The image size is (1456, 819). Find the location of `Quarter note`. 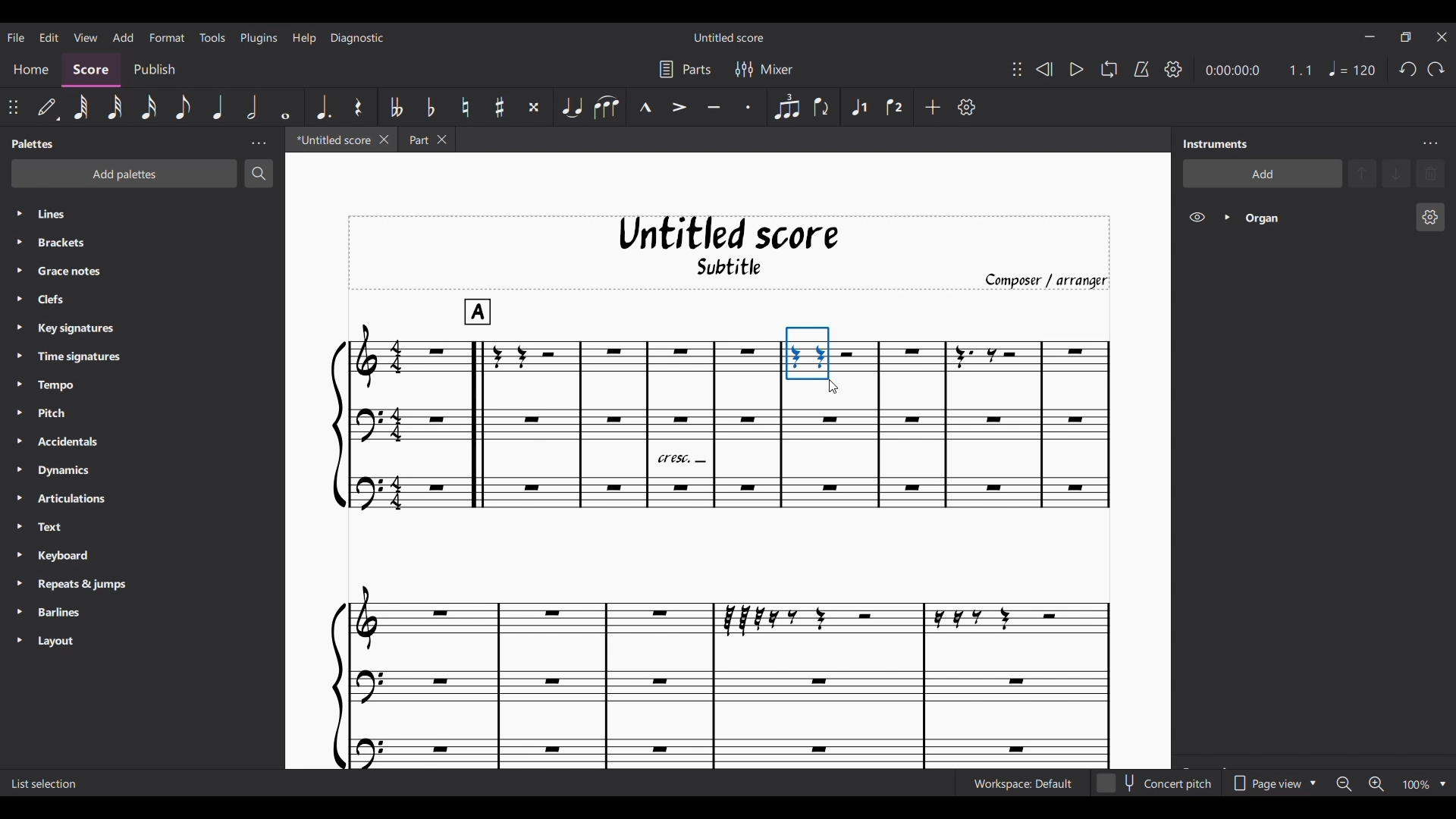

Quarter note is located at coordinates (217, 108).